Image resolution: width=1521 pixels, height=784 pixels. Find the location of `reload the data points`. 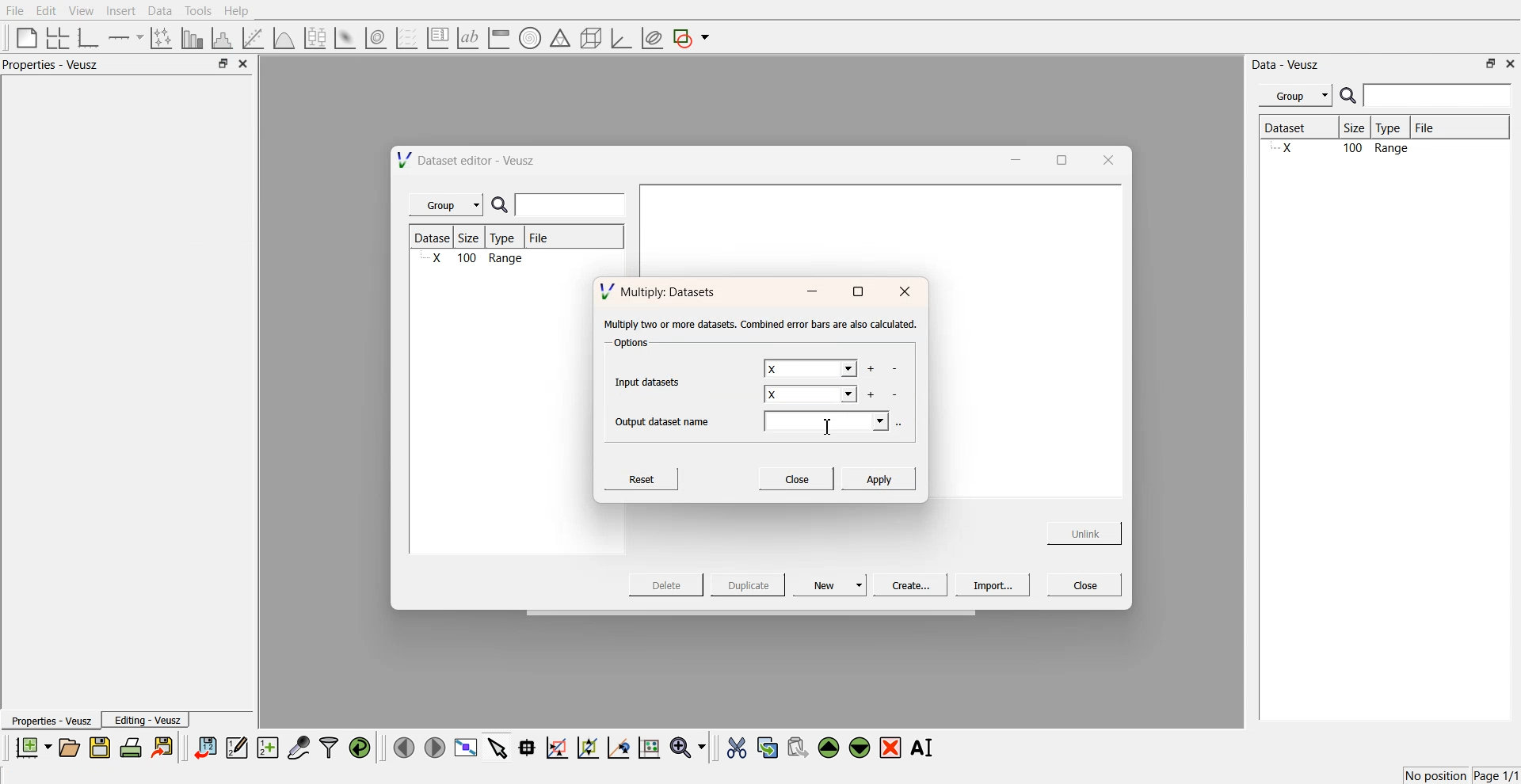

reload the data points is located at coordinates (360, 748).